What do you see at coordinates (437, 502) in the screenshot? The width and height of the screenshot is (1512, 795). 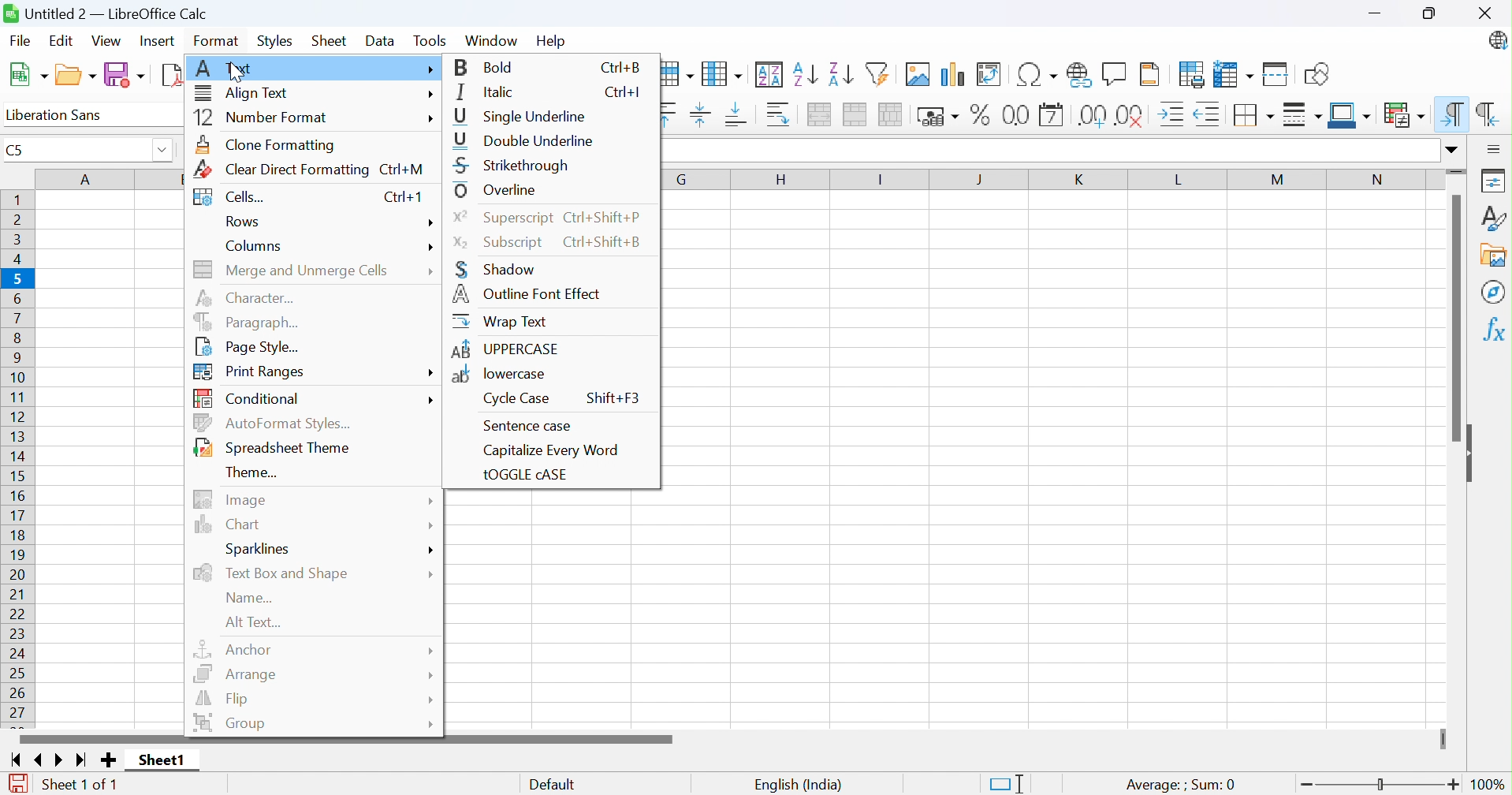 I see `More` at bounding box center [437, 502].